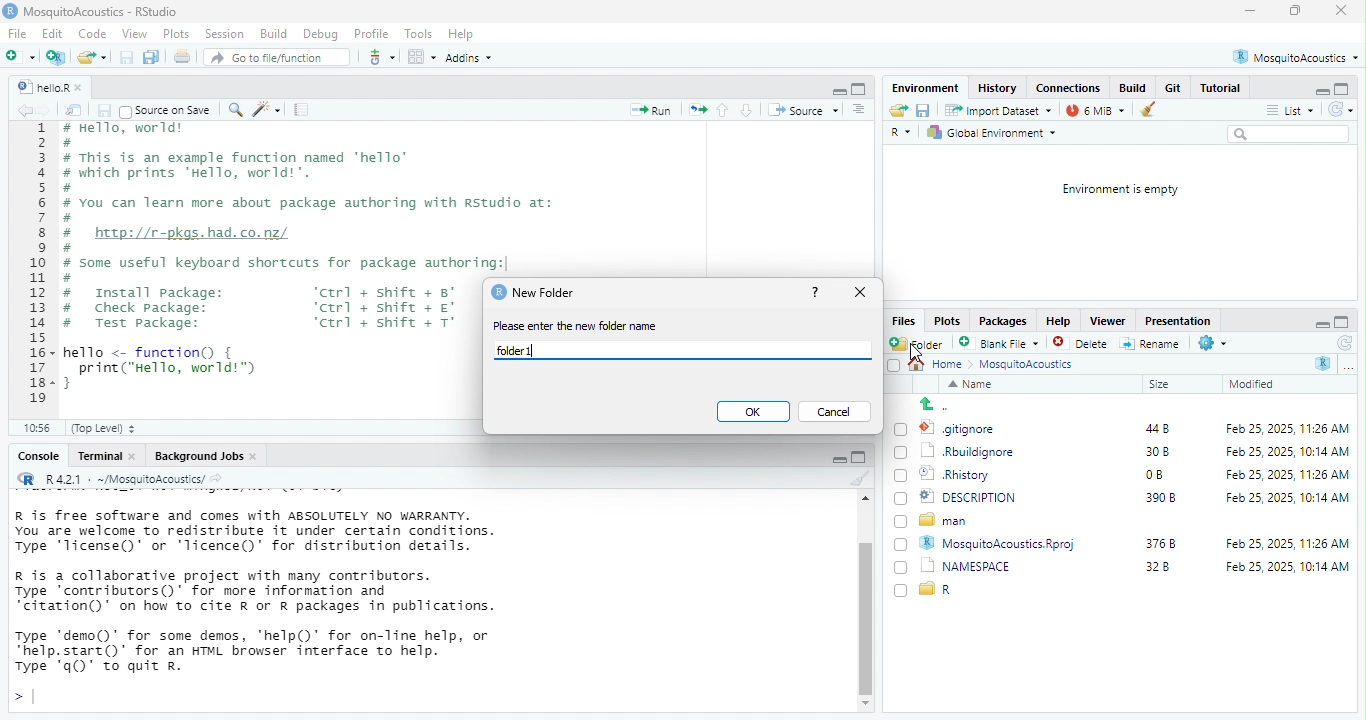 The image size is (1366, 720). What do you see at coordinates (1151, 428) in the screenshot?
I see `448` at bounding box center [1151, 428].